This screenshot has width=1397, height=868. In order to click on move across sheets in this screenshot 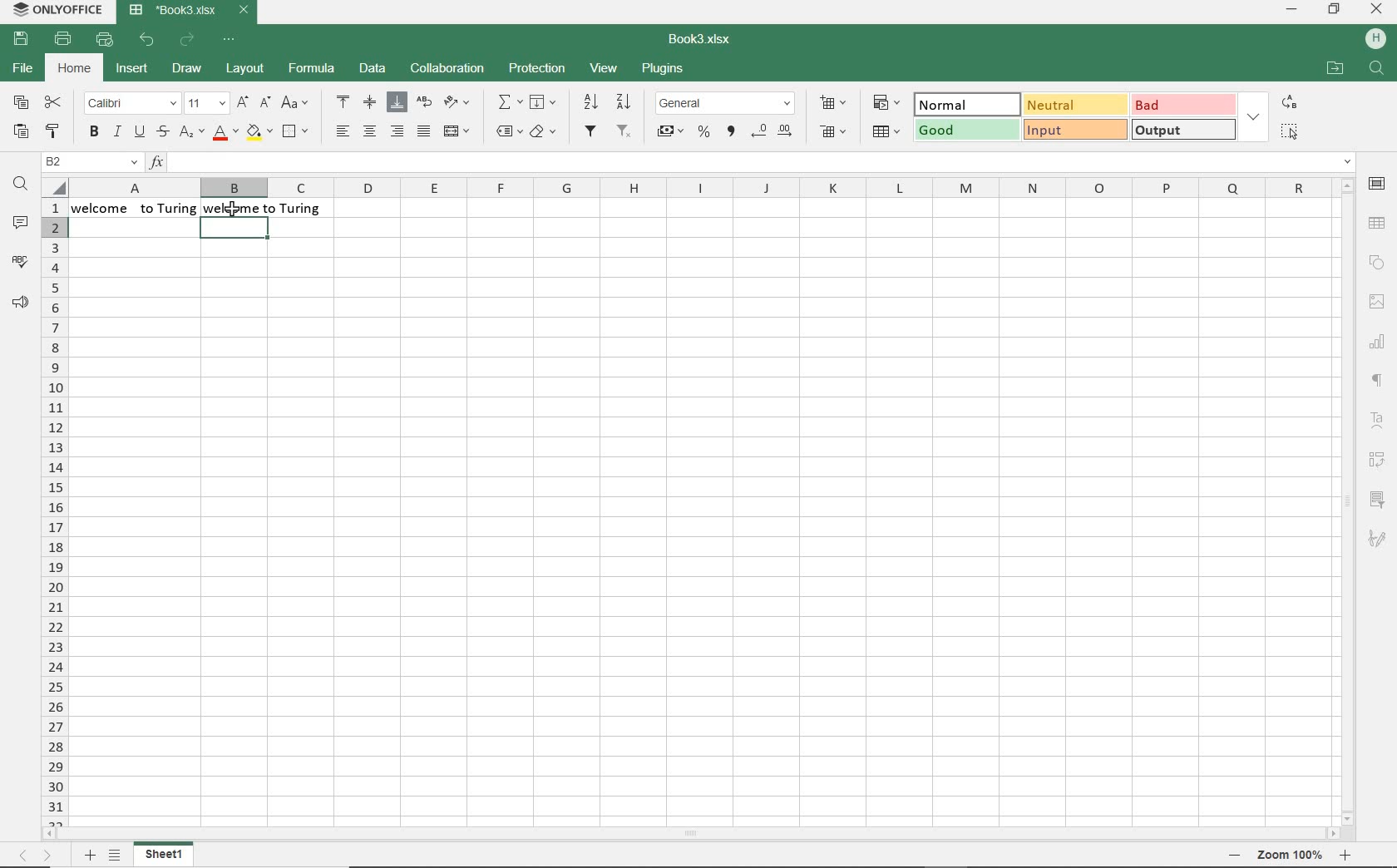, I will do `click(33, 854)`.